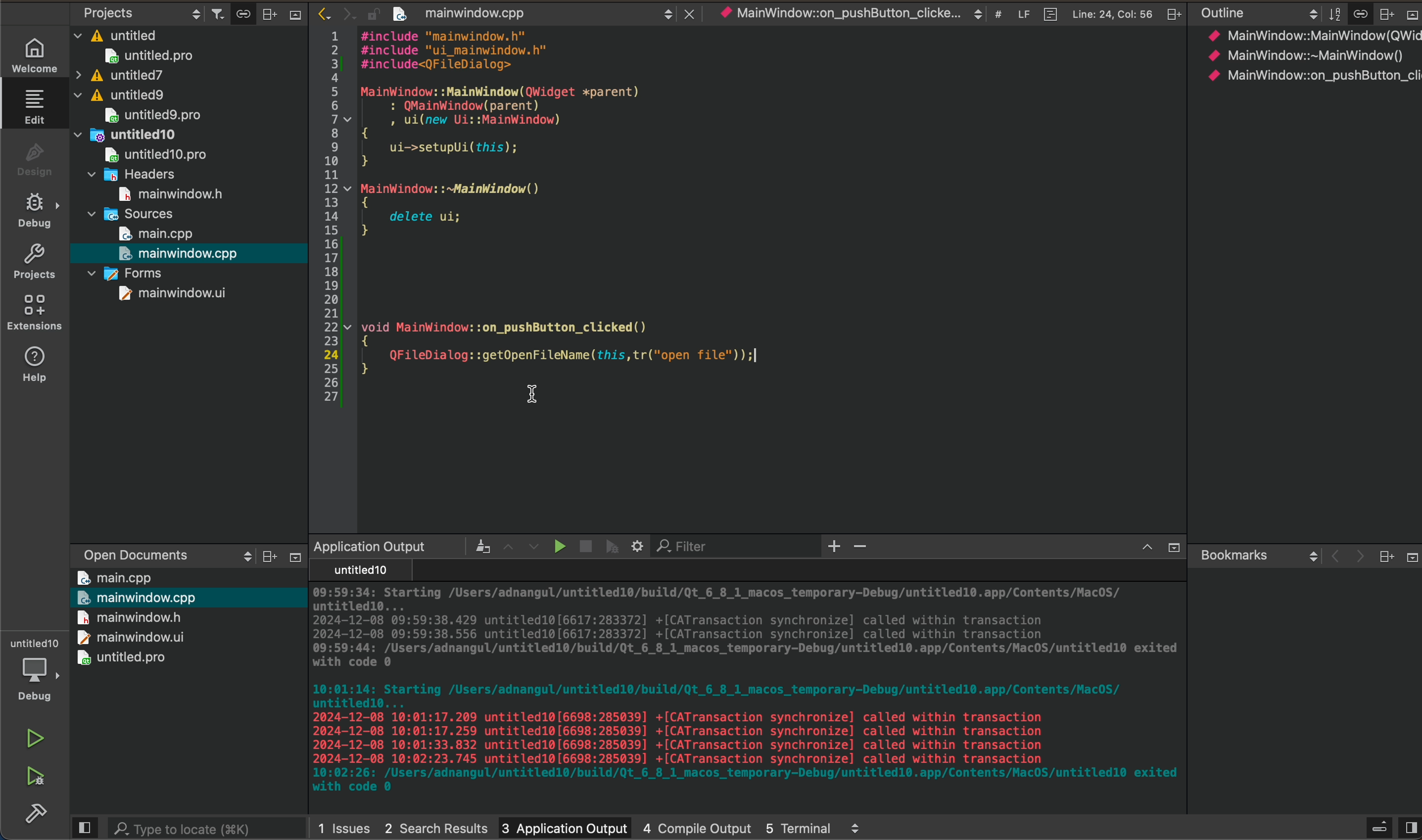 The image size is (1422, 840). I want to click on cursor, so click(532, 396).